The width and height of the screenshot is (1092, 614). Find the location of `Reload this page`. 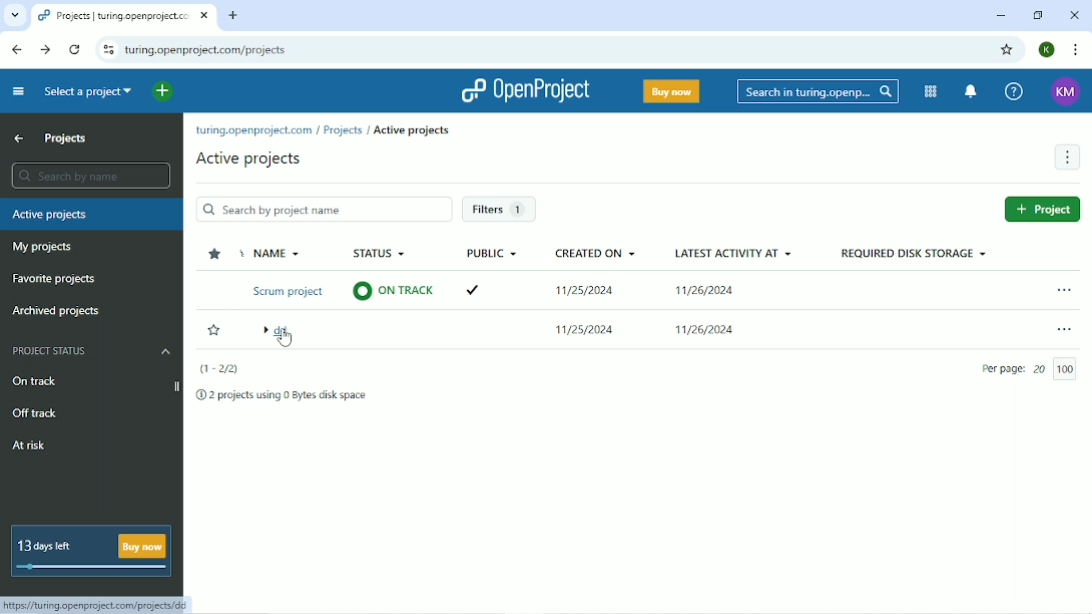

Reload this page is located at coordinates (76, 50).